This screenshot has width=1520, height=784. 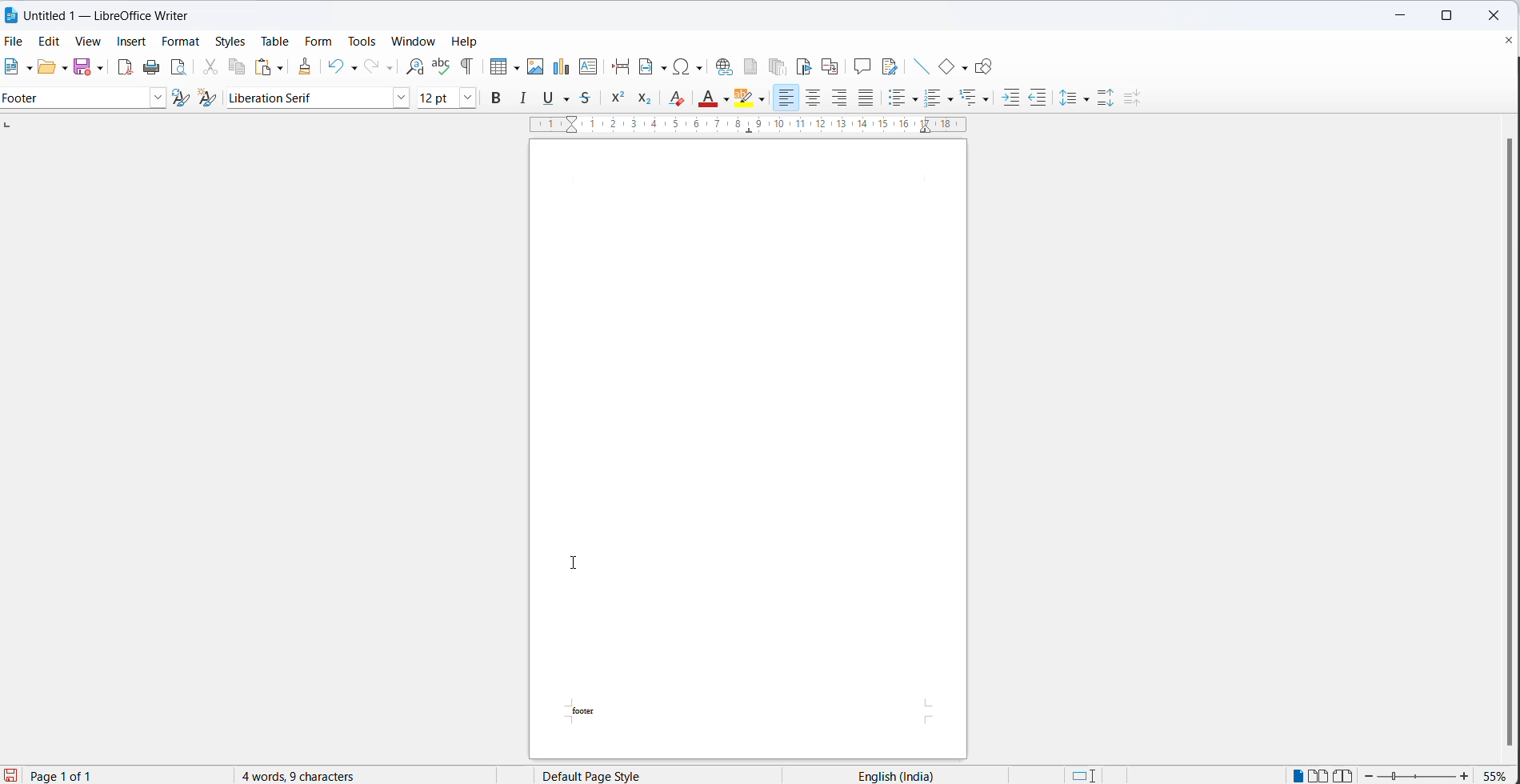 I want to click on insert endnote, so click(x=782, y=66).